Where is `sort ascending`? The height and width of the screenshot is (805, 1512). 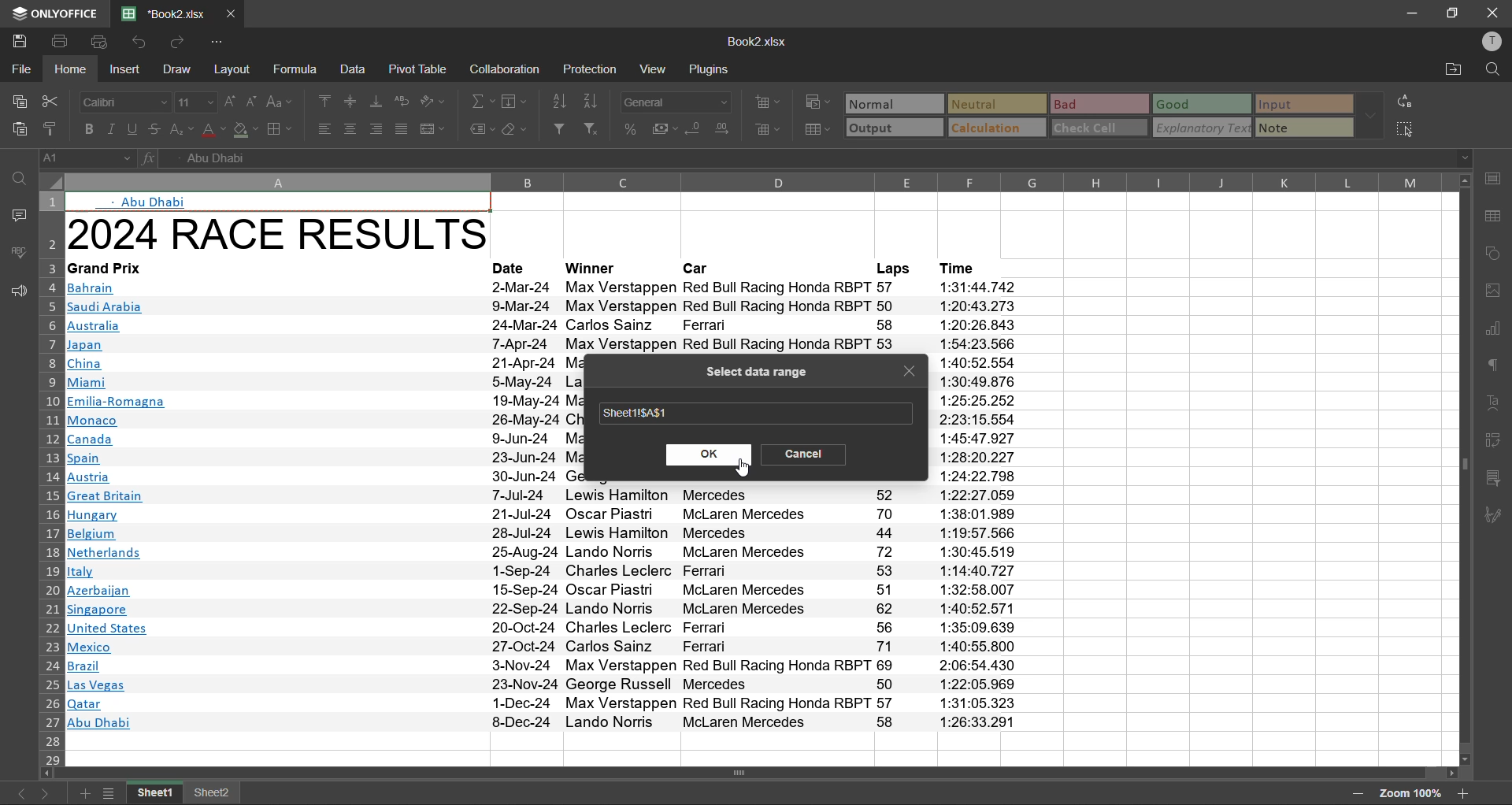
sort ascending is located at coordinates (559, 104).